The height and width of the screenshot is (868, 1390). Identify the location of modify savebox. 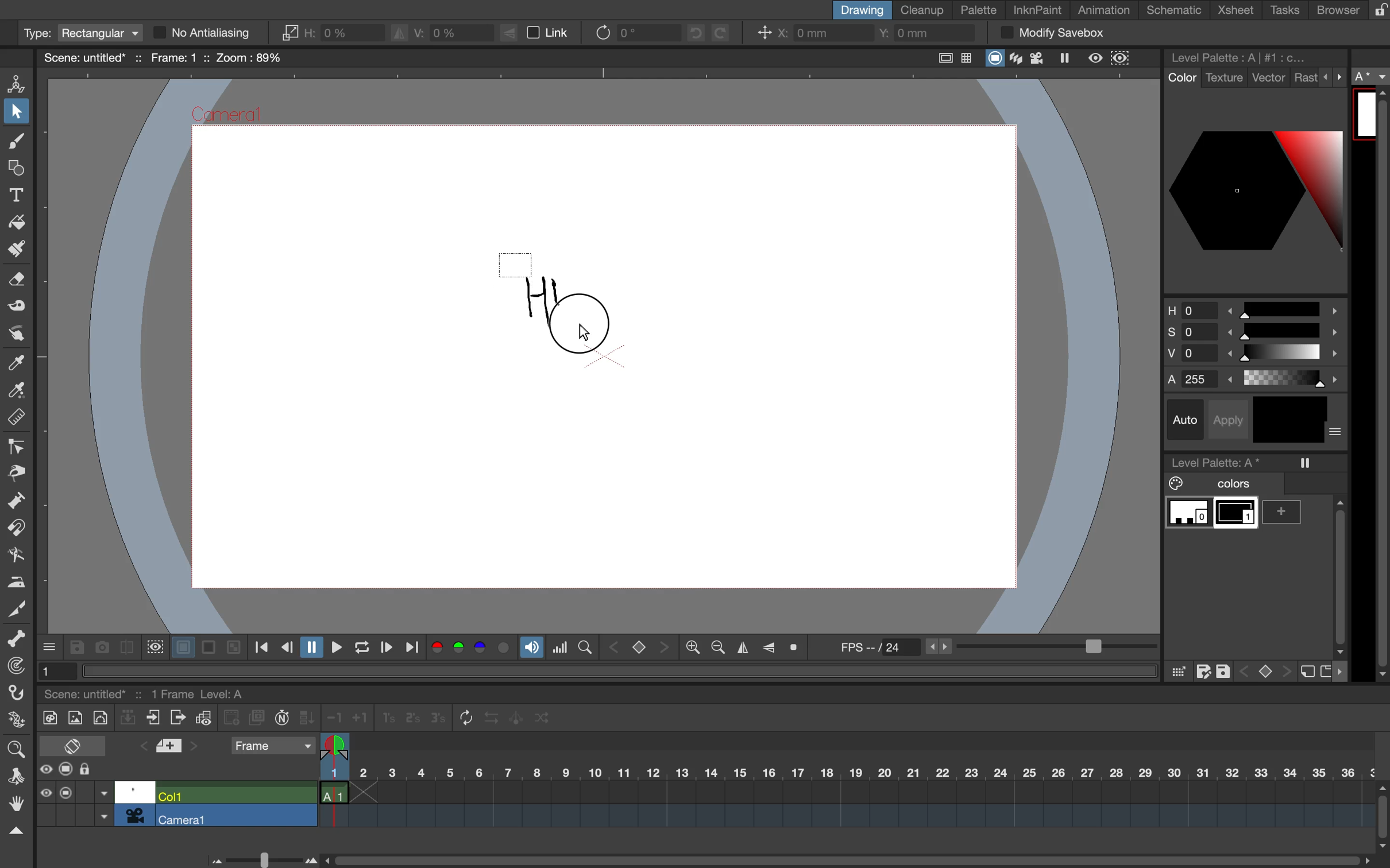
(1052, 33).